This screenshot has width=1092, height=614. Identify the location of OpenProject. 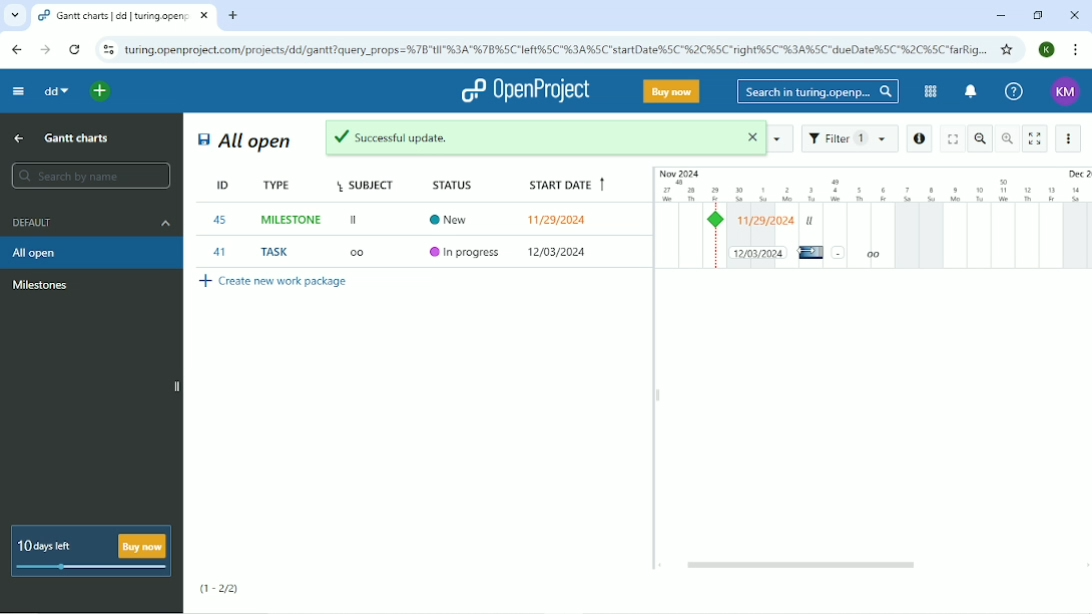
(525, 91).